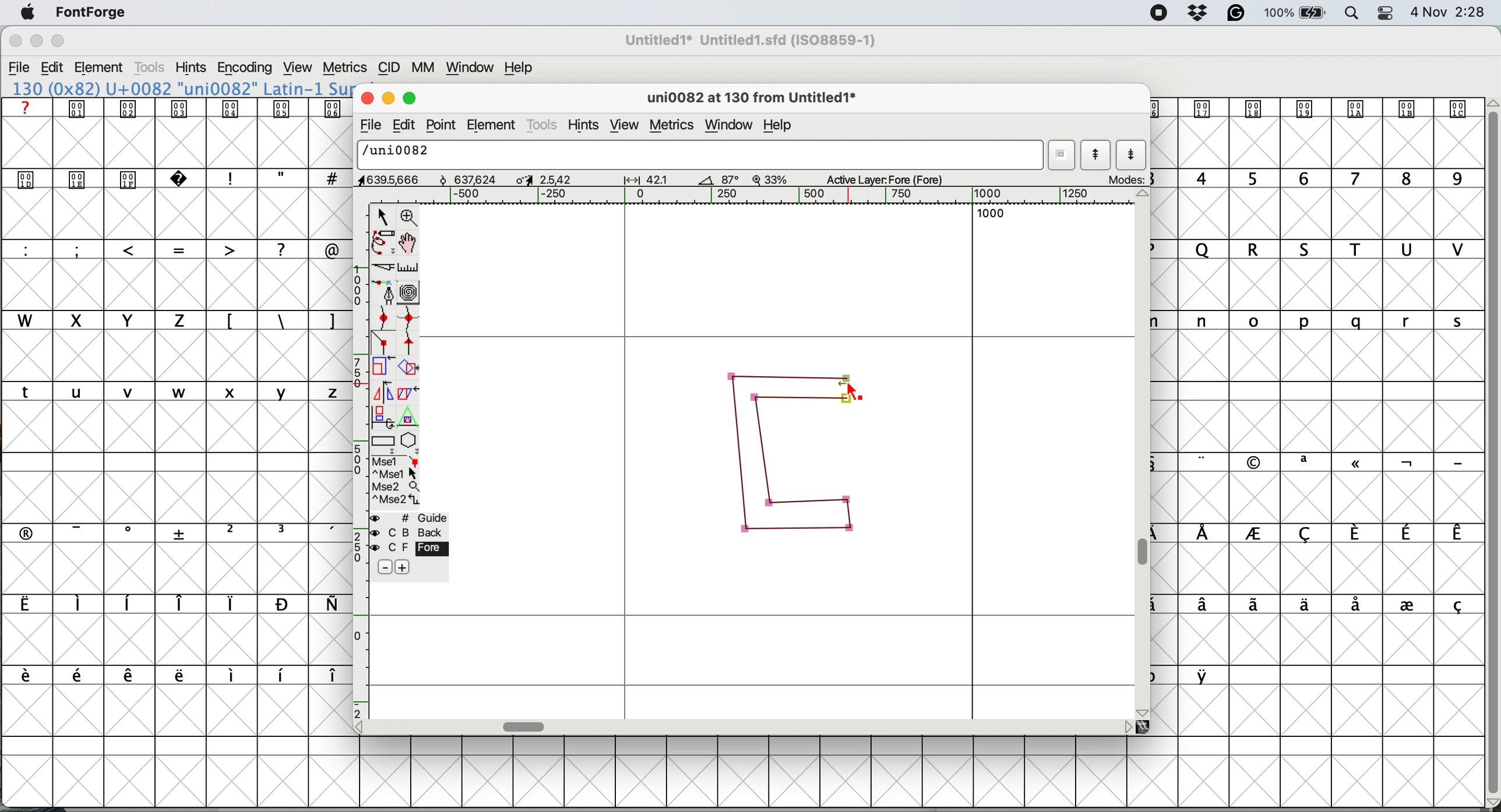 The width and height of the screenshot is (1501, 812). What do you see at coordinates (179, 108) in the screenshot?
I see `symbols` at bounding box center [179, 108].